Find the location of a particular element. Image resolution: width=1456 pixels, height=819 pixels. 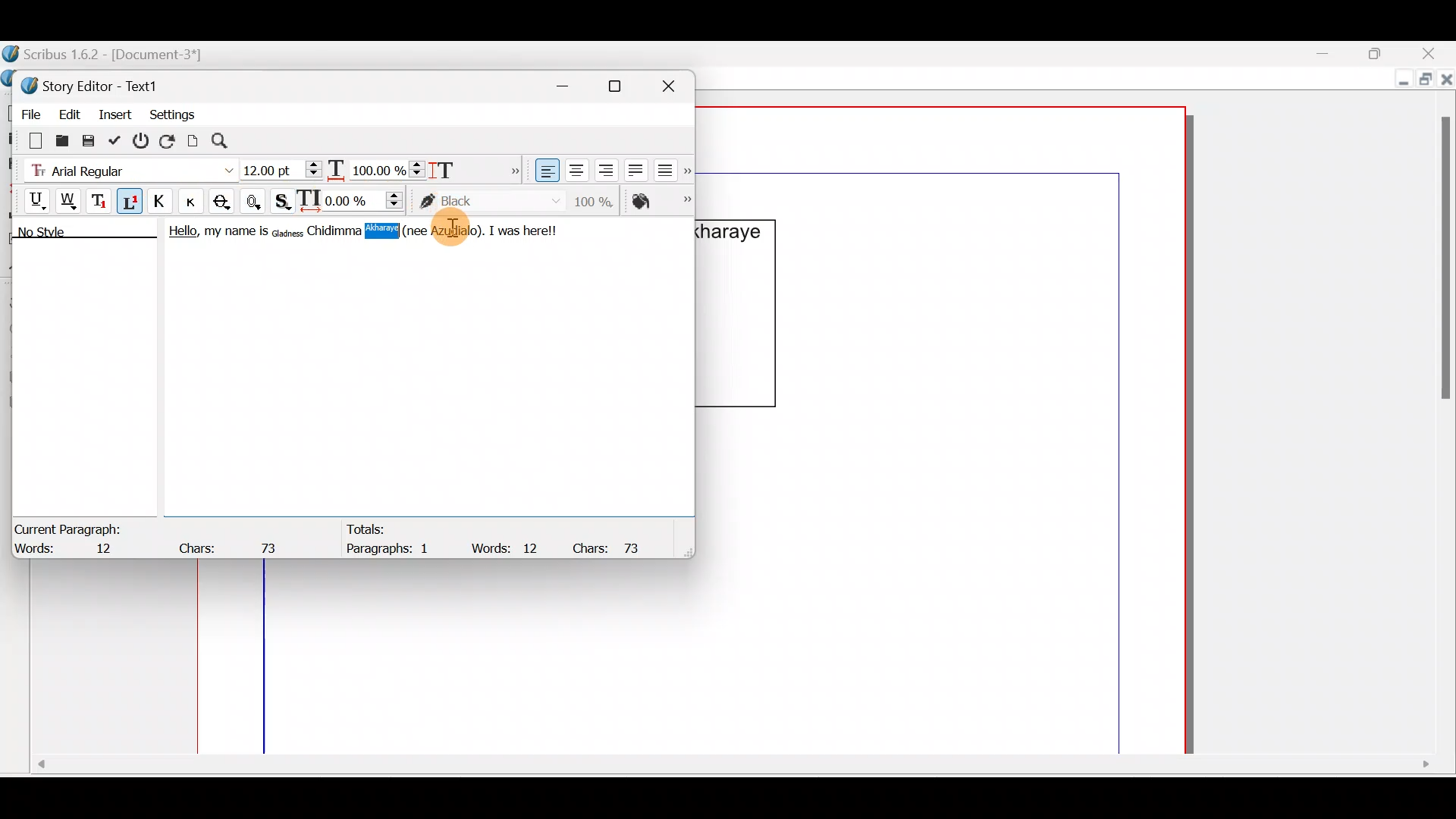

Superscript is located at coordinates (131, 203).